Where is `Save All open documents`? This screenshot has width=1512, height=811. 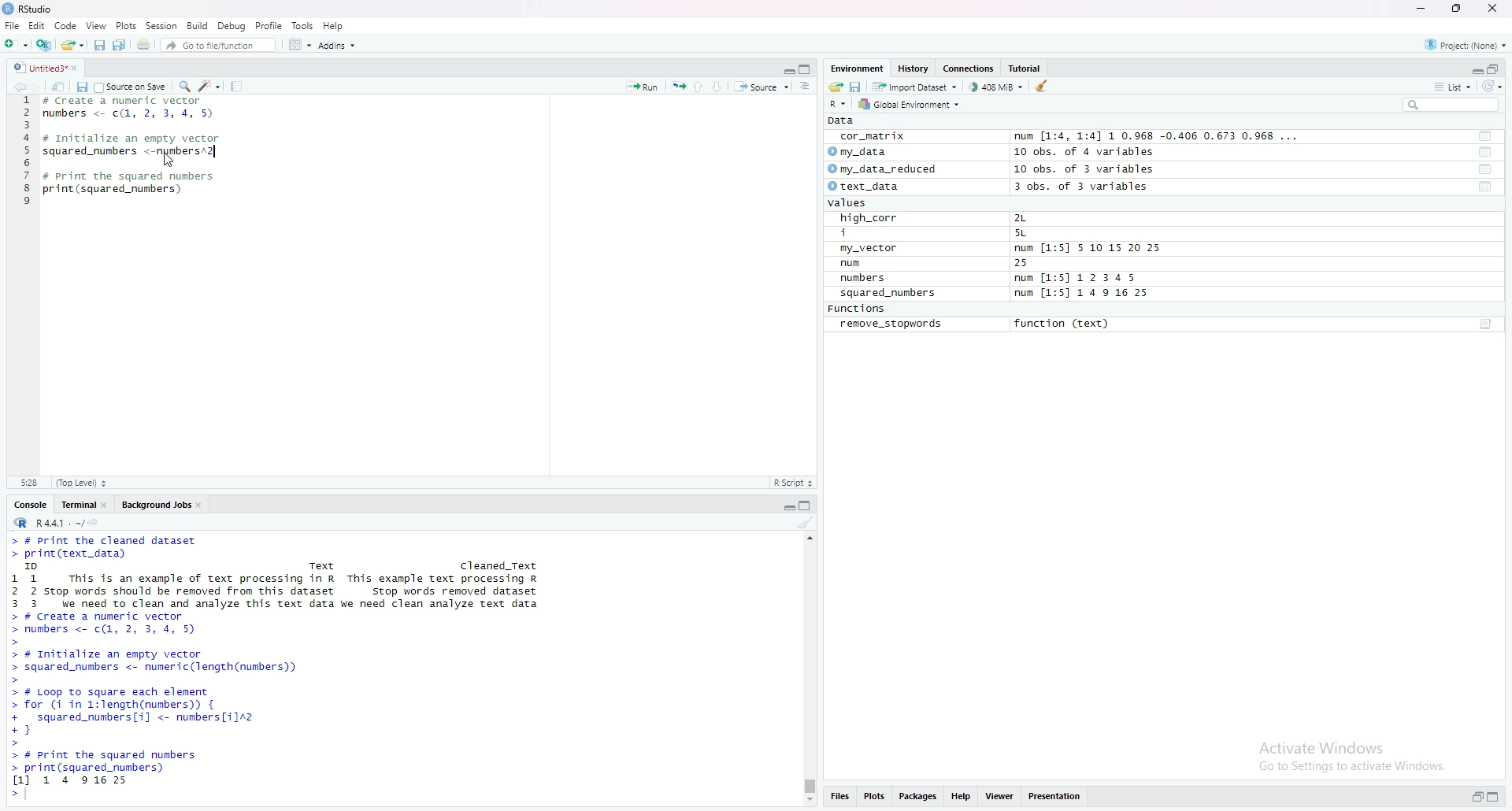 Save All open documents is located at coordinates (120, 43).